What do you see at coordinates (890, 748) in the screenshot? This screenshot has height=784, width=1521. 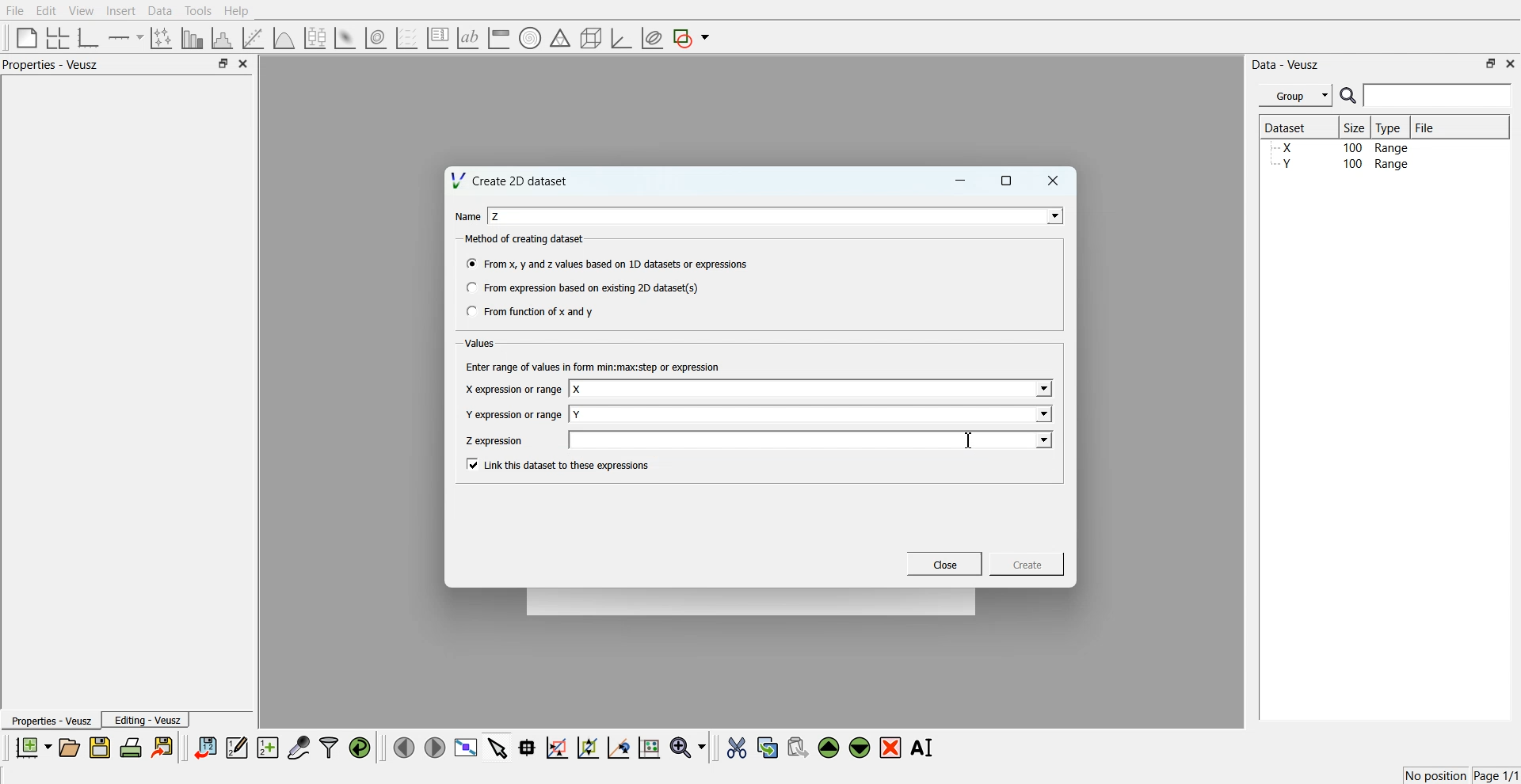 I see `Remove the selected widget` at bounding box center [890, 748].